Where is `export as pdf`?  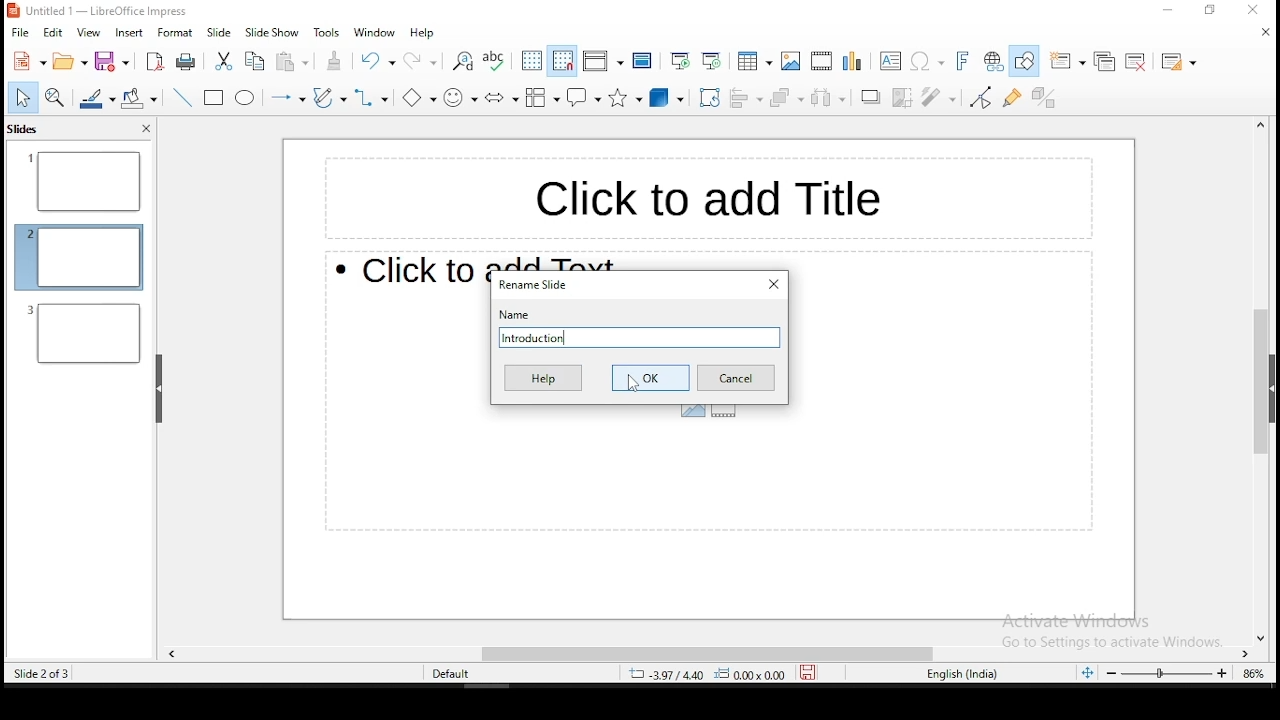 export as pdf is located at coordinates (156, 64).